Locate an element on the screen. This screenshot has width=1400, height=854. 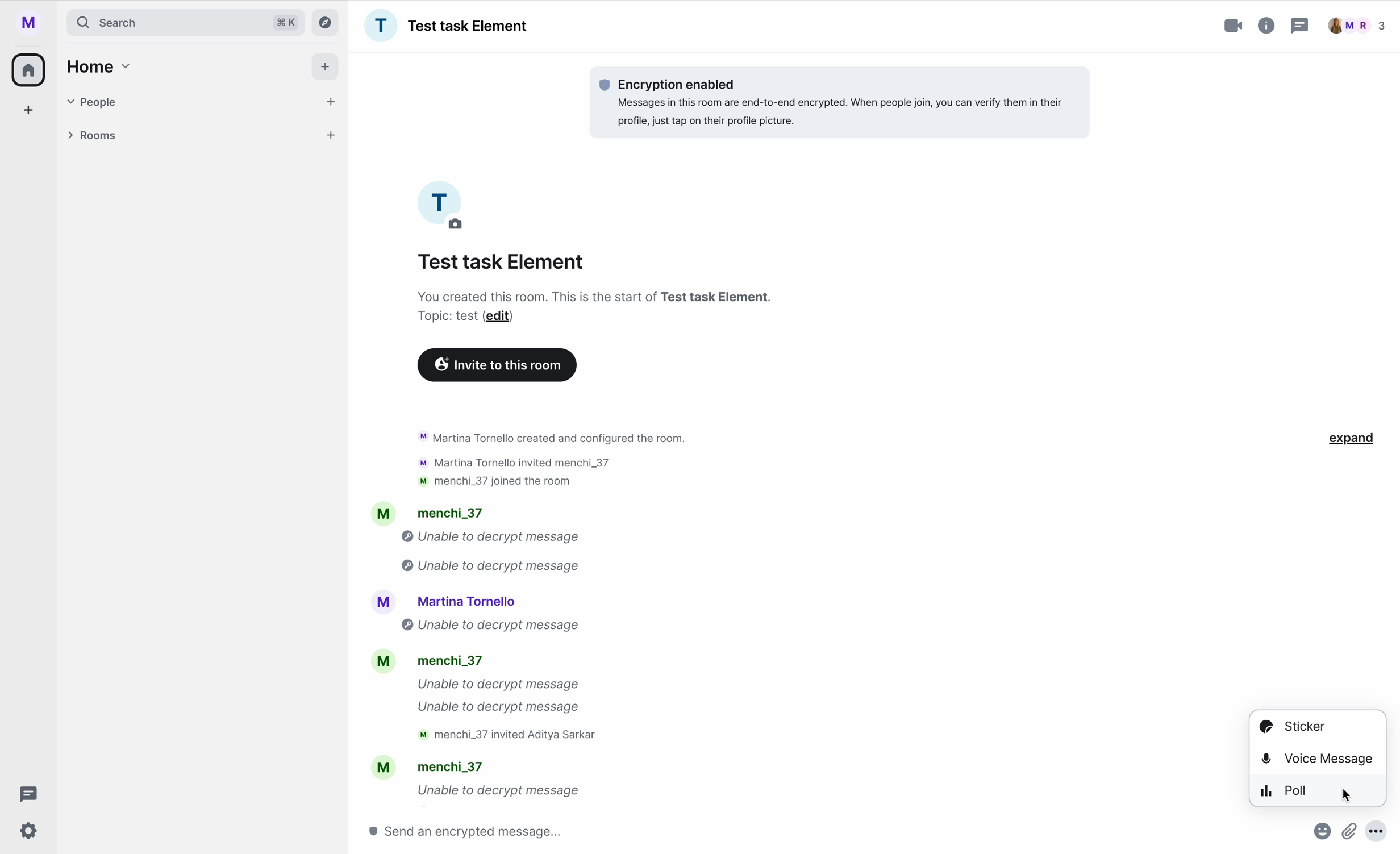
profile picture is located at coordinates (445, 205).